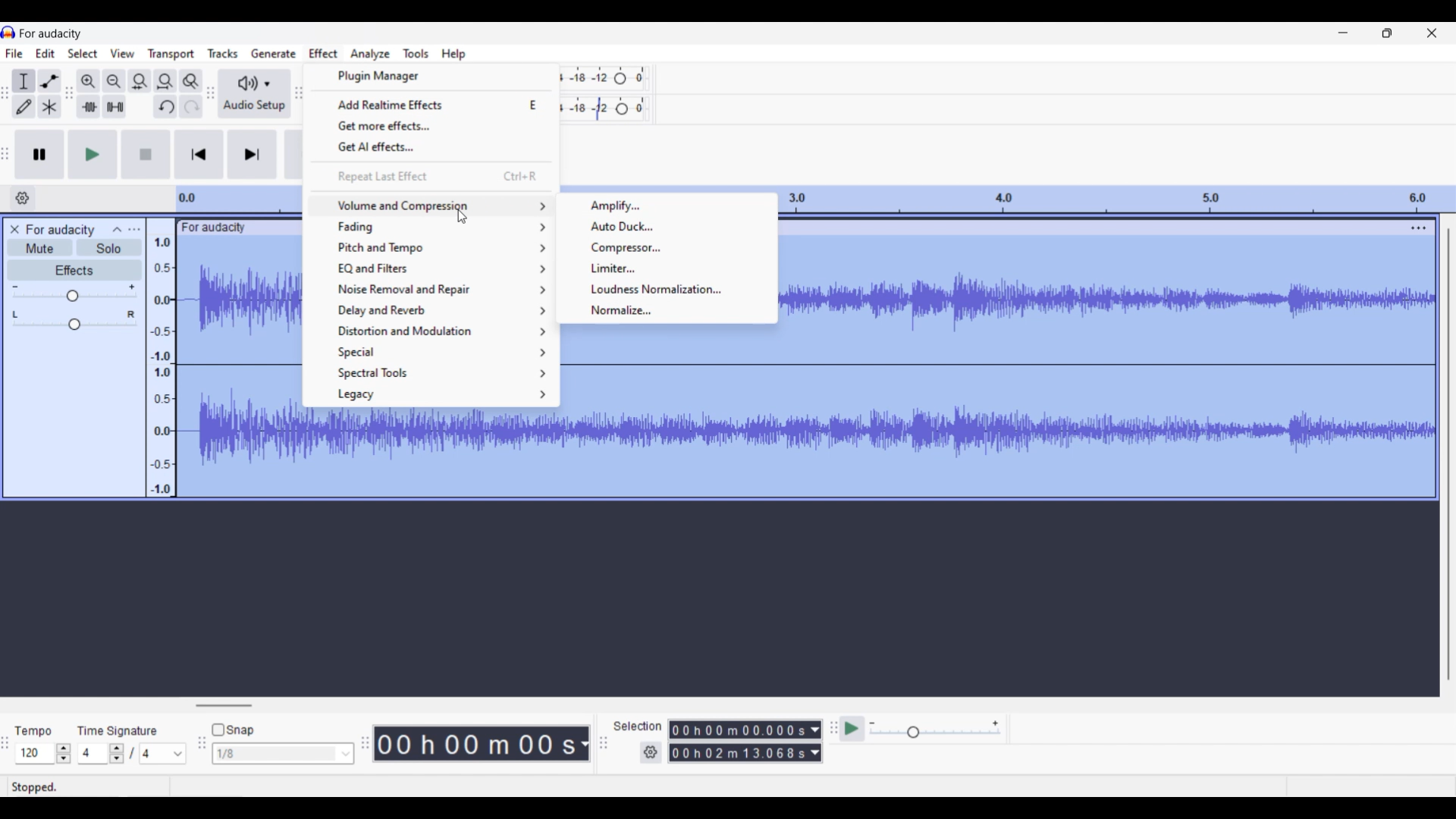  What do you see at coordinates (253, 93) in the screenshot?
I see `Audio setup` at bounding box center [253, 93].